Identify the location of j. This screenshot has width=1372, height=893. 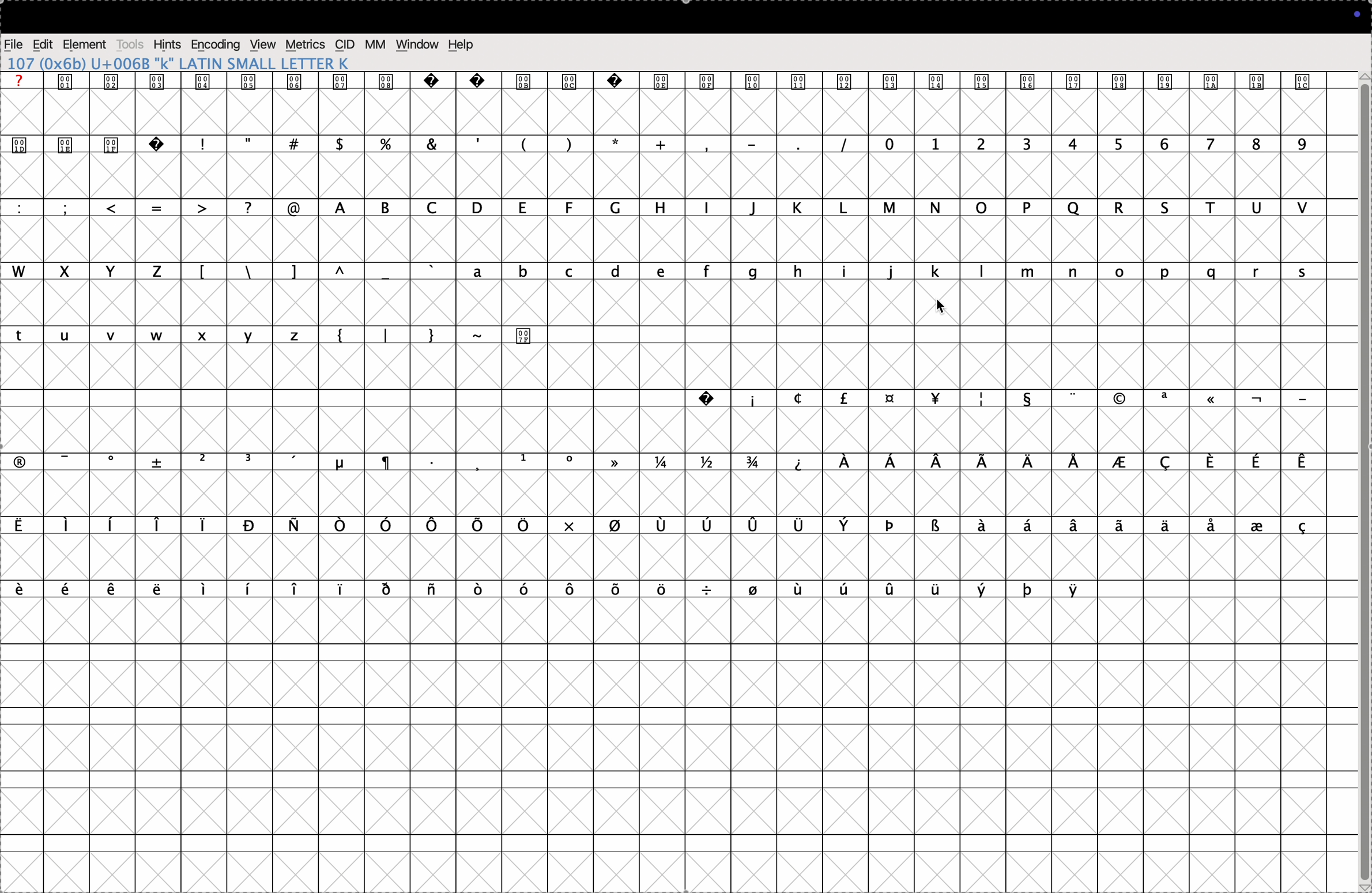
(756, 210).